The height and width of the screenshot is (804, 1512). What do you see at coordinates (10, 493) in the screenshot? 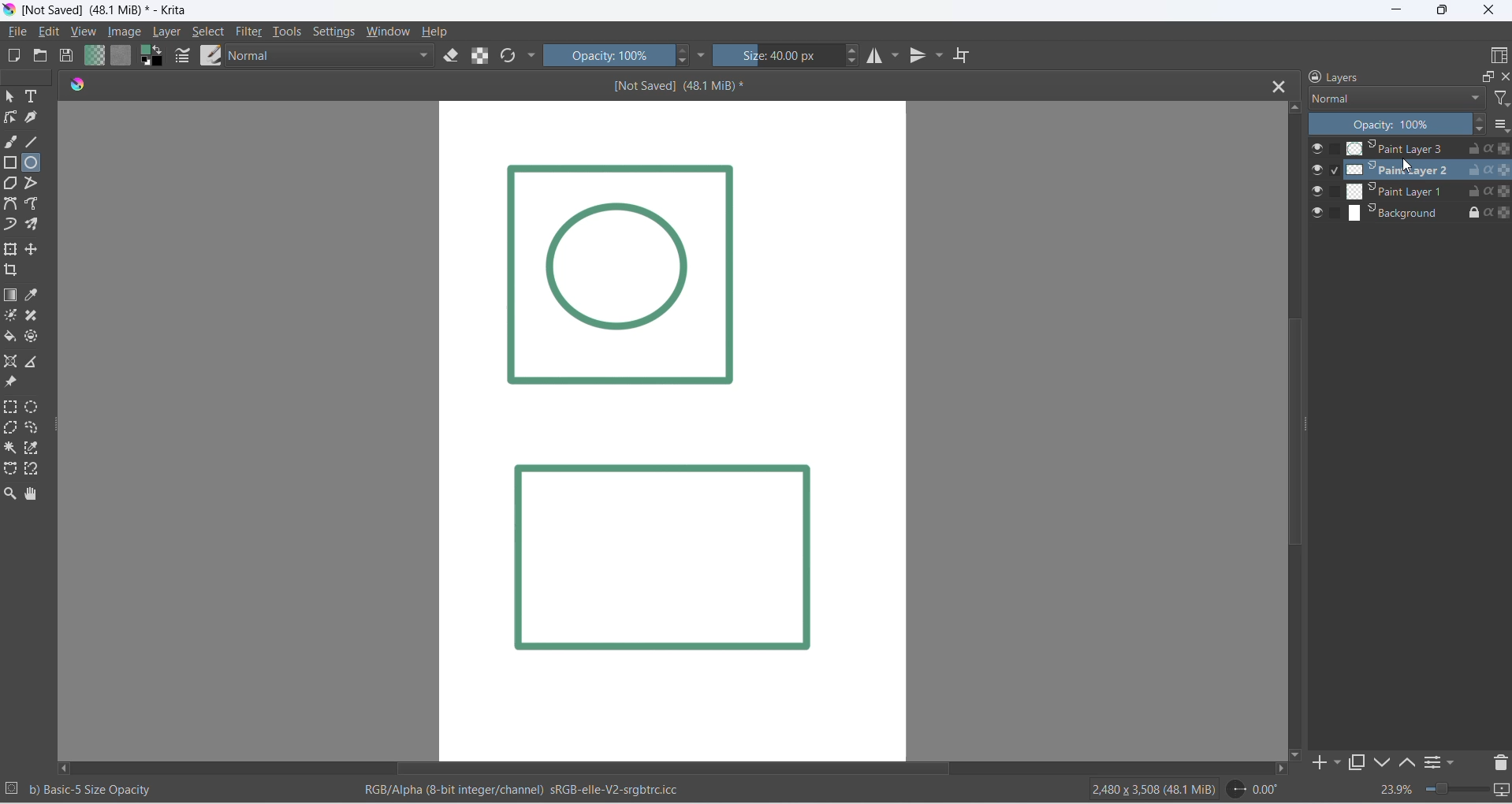
I see `zoom tool` at bounding box center [10, 493].